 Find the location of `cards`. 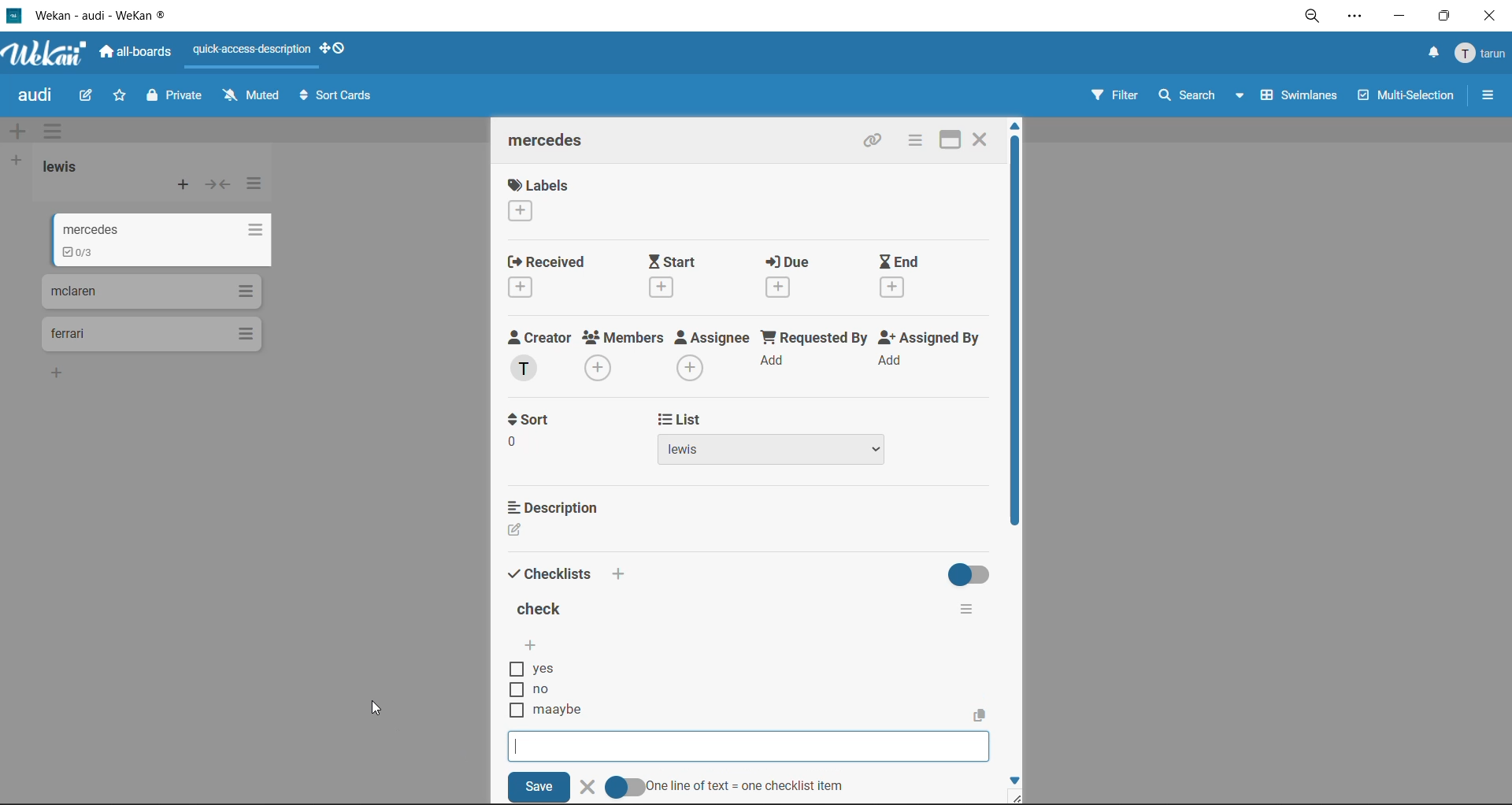

cards is located at coordinates (147, 293).